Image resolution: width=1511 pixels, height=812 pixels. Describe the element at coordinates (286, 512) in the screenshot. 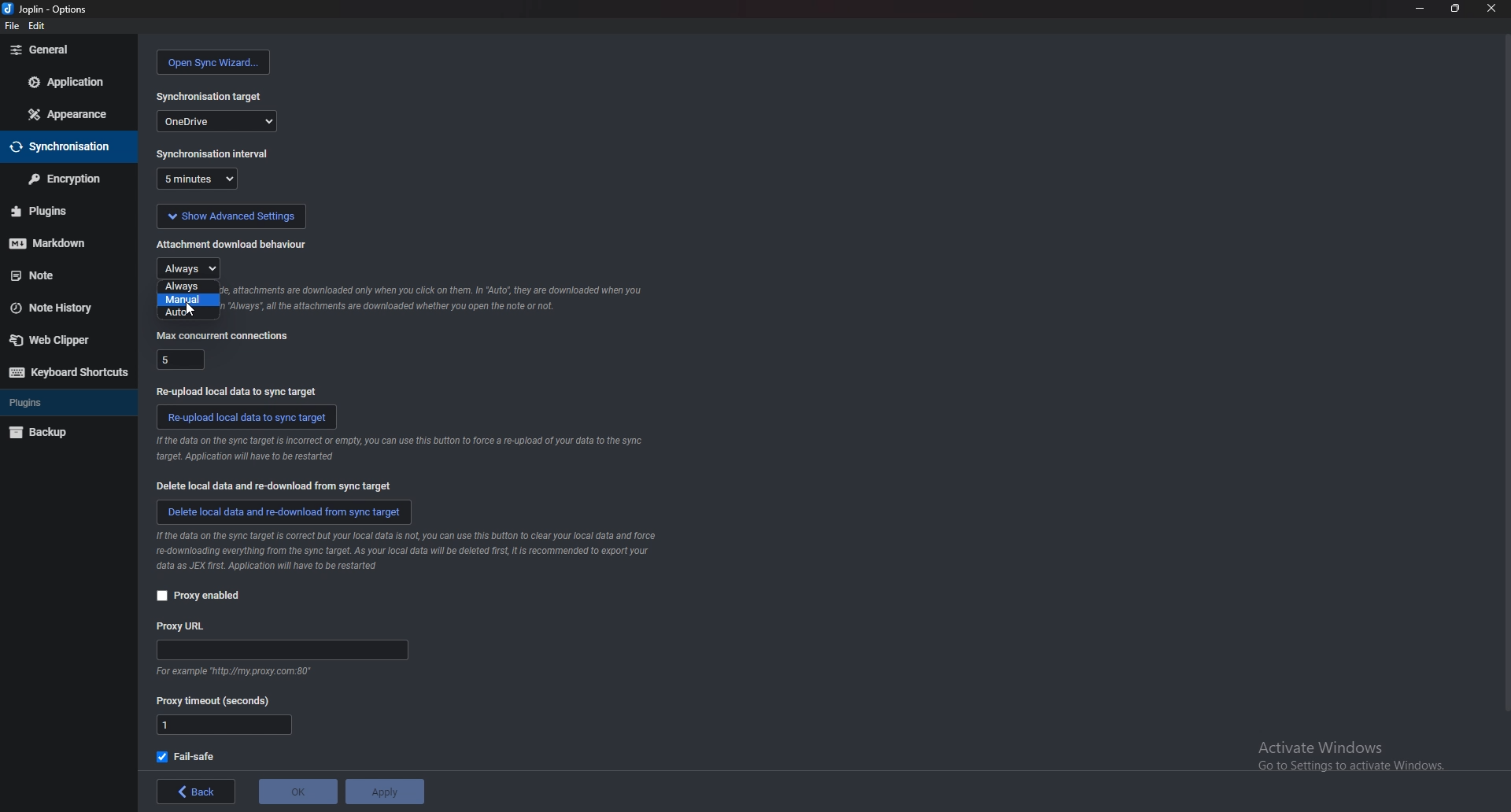

I see `delete local data and re download from sync target` at that location.